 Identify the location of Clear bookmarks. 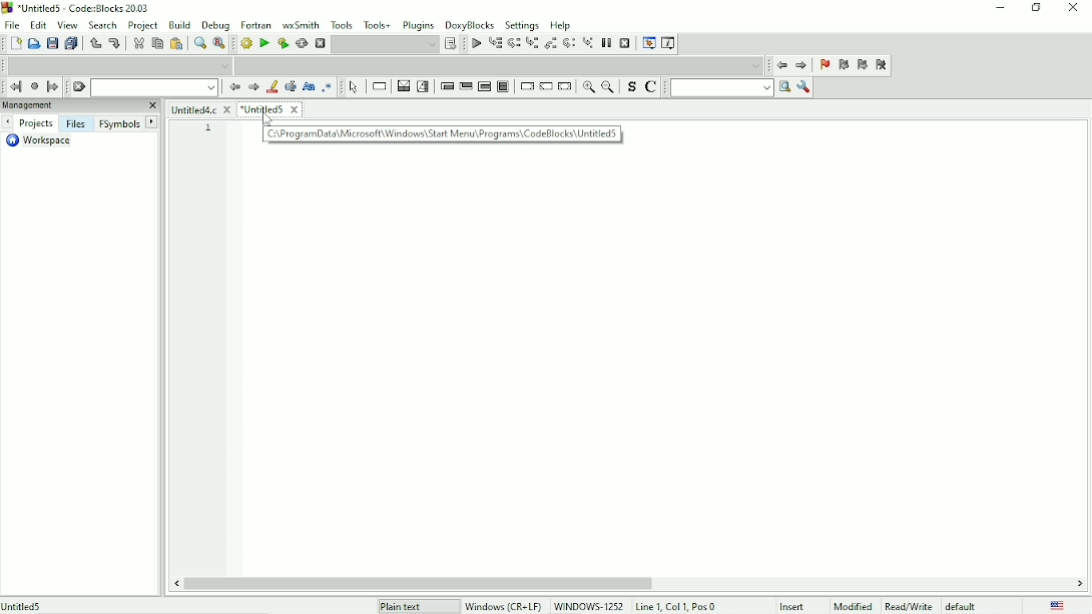
(883, 66).